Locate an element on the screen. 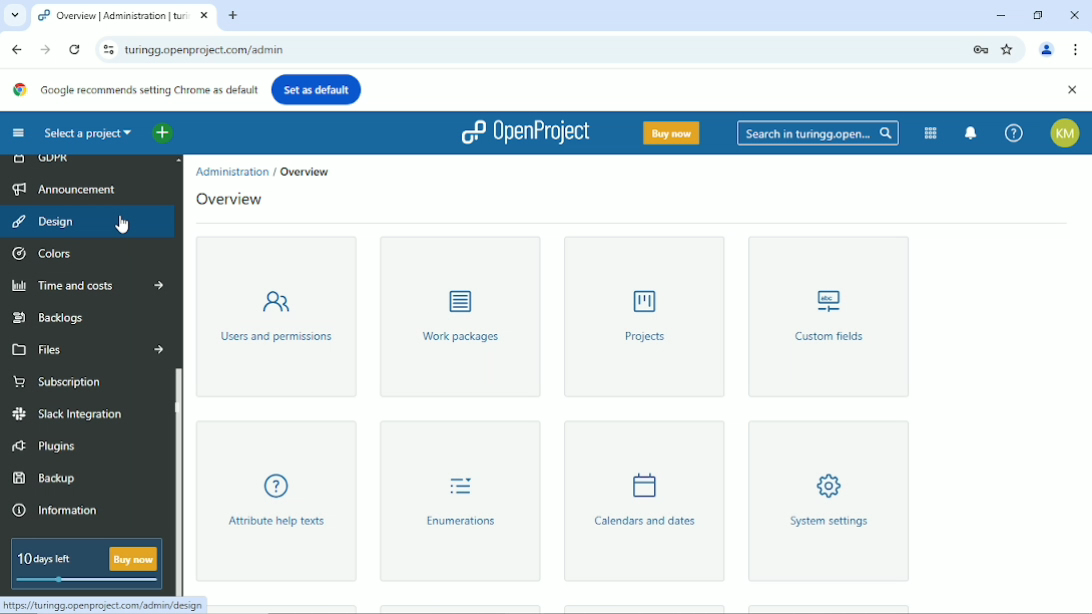 The image size is (1092, 614).  Search in turingg.open... is located at coordinates (818, 133).